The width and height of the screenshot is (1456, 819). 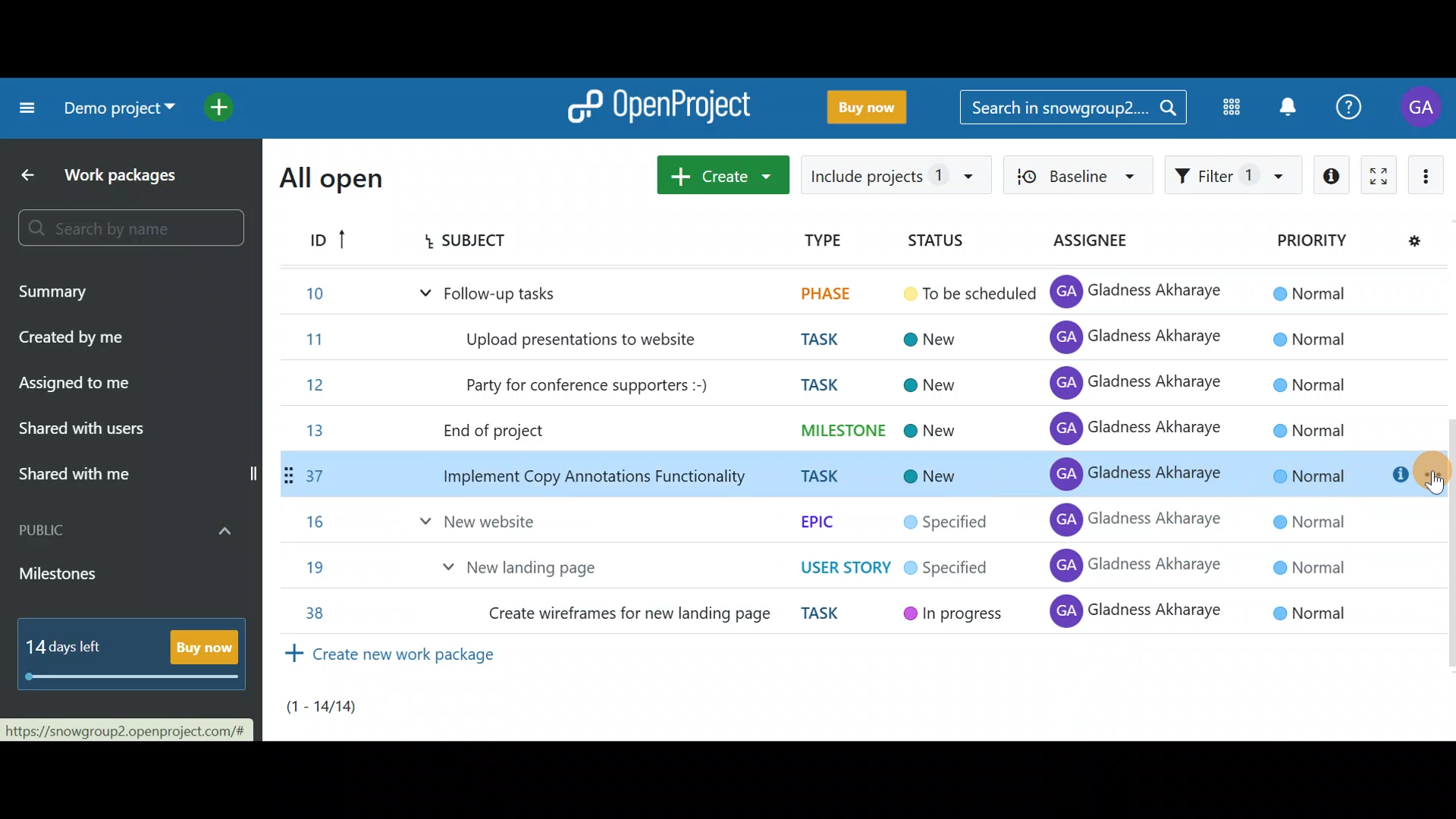 What do you see at coordinates (931, 383) in the screenshot?
I see `New` at bounding box center [931, 383].